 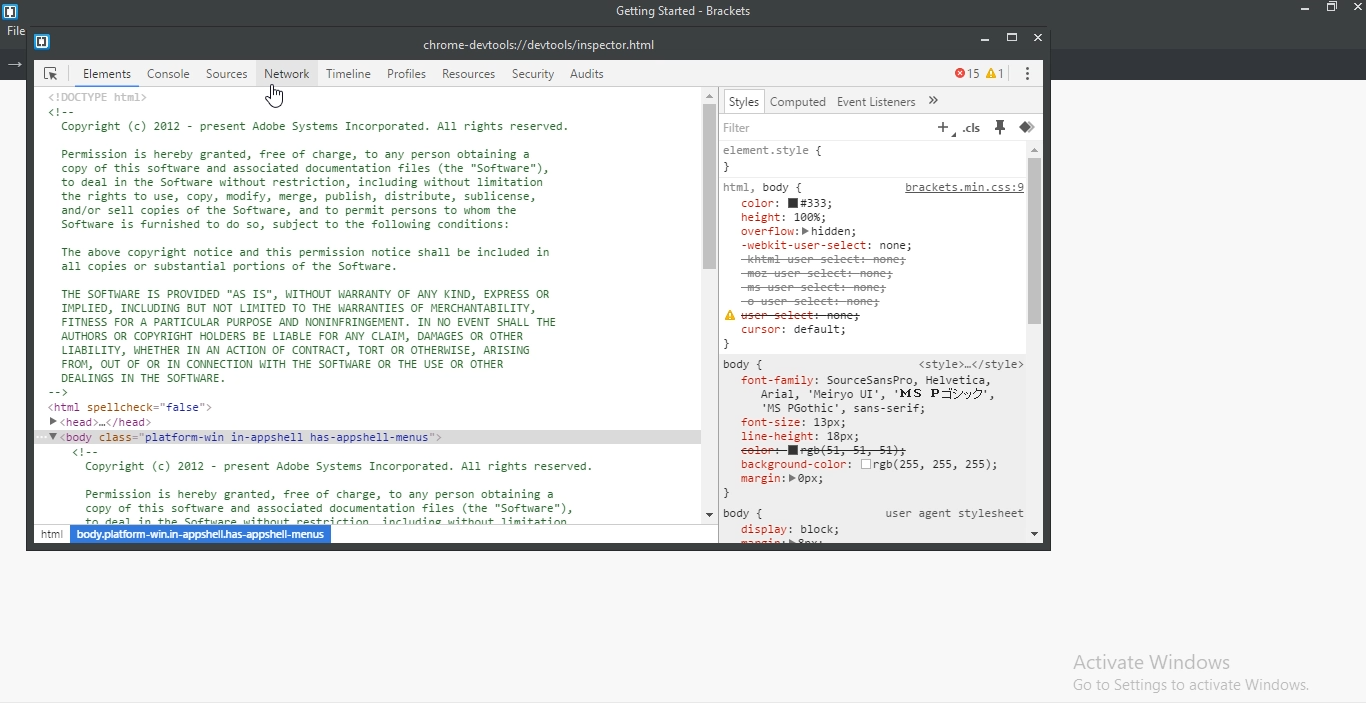 What do you see at coordinates (405, 75) in the screenshot?
I see `profiles` at bounding box center [405, 75].